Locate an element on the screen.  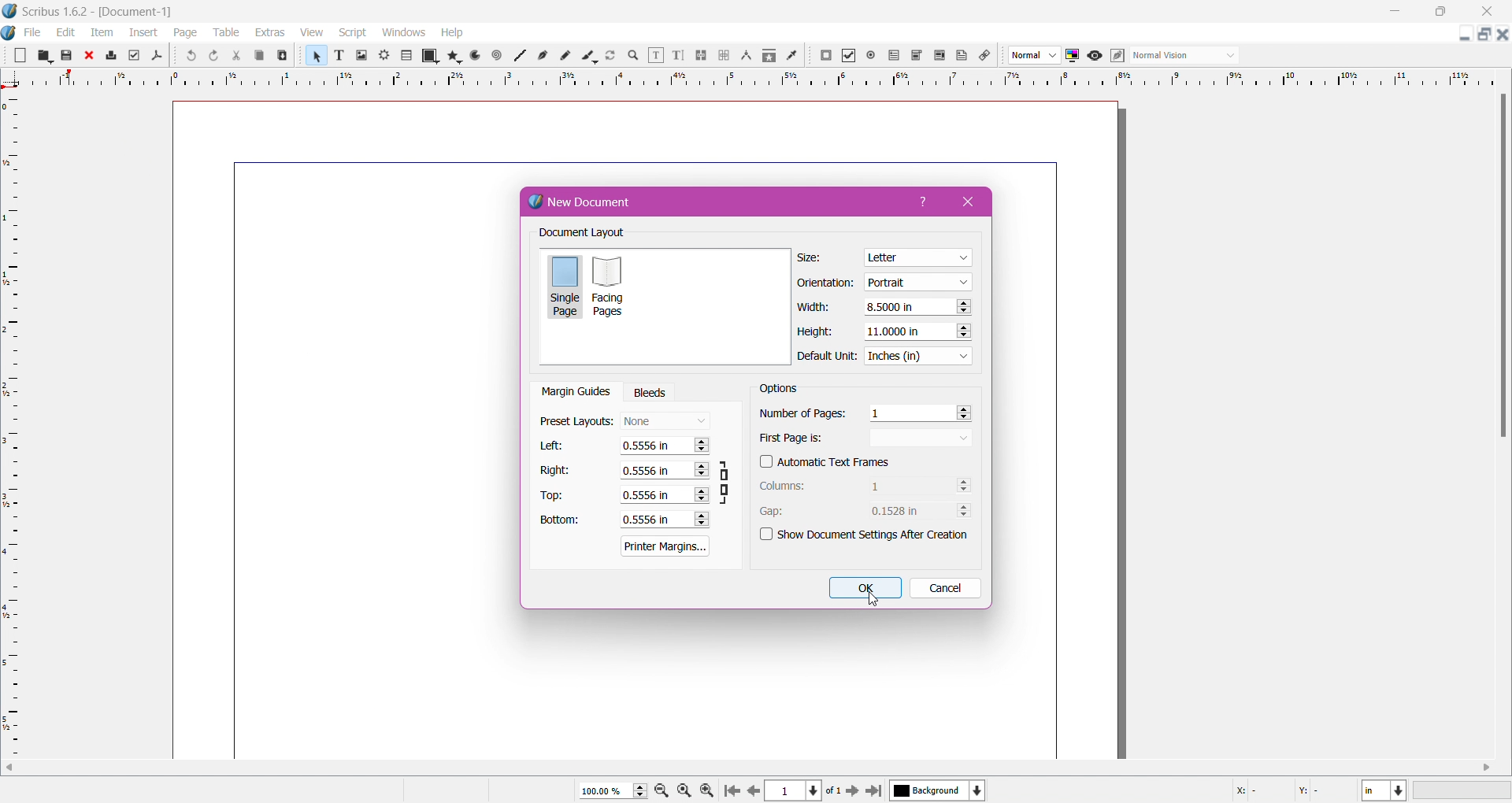
checkbox is located at coordinates (762, 535).